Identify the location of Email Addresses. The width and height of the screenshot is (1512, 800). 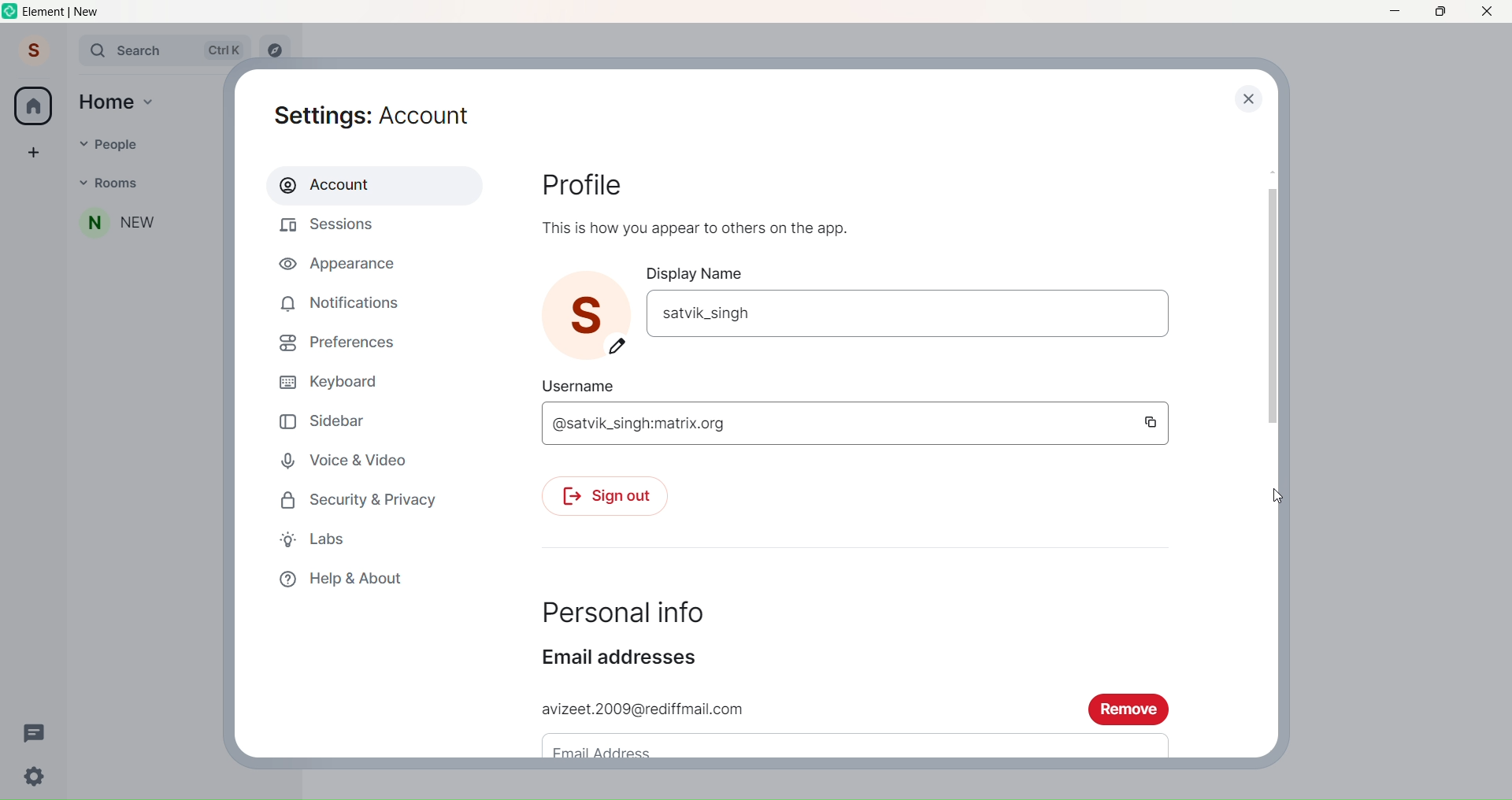
(629, 659).